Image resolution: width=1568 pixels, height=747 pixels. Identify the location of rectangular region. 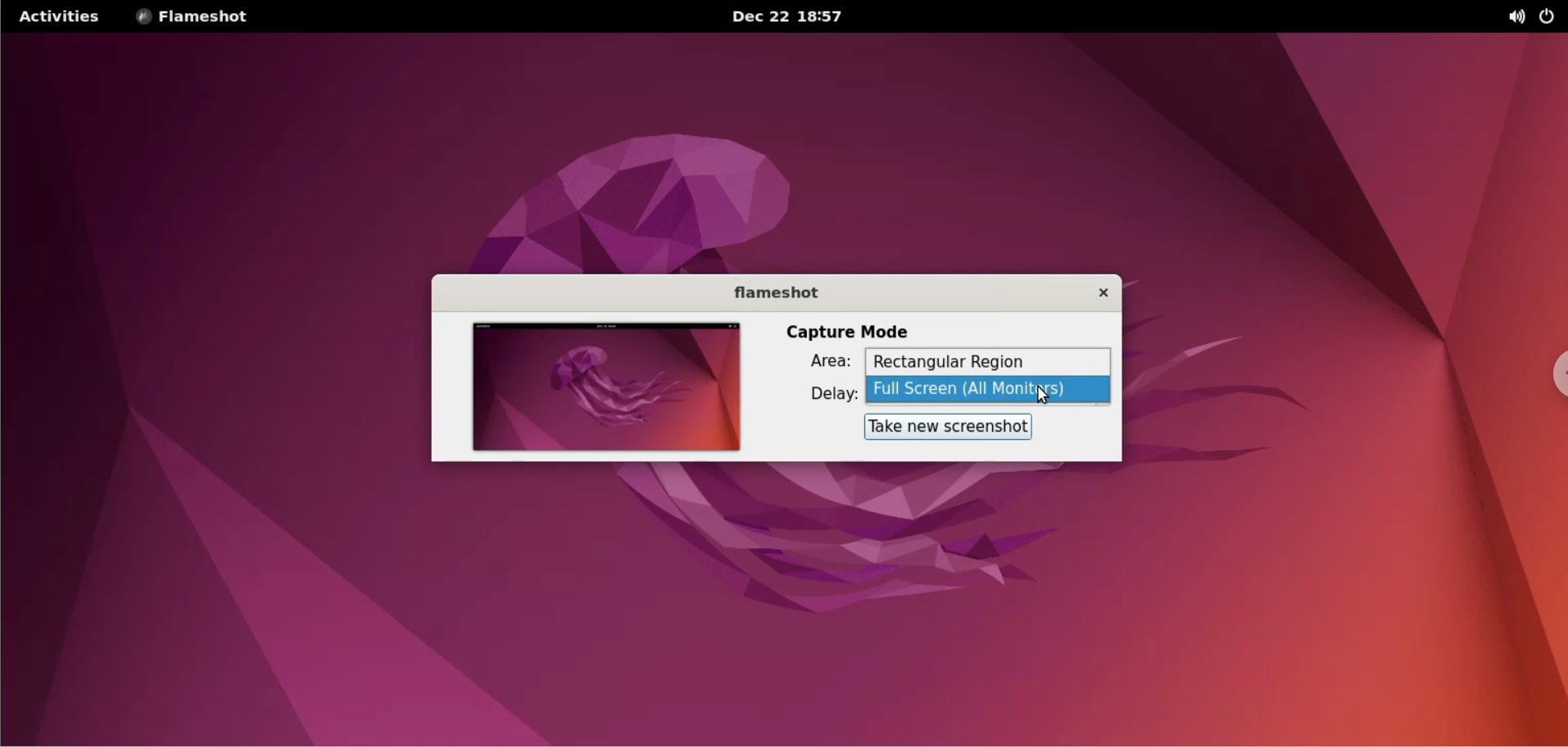
(987, 362).